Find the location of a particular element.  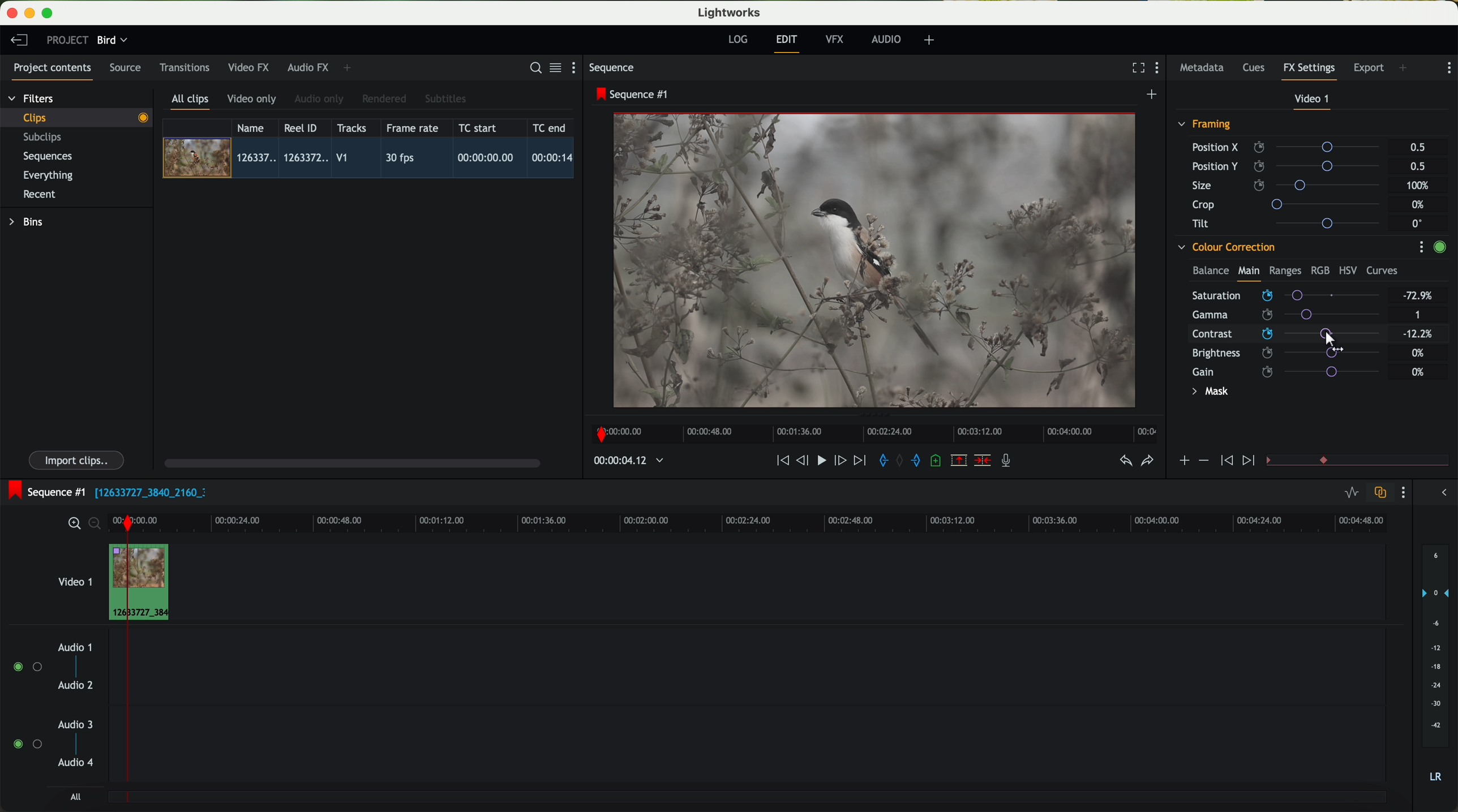

73.8% is located at coordinates (1418, 296).